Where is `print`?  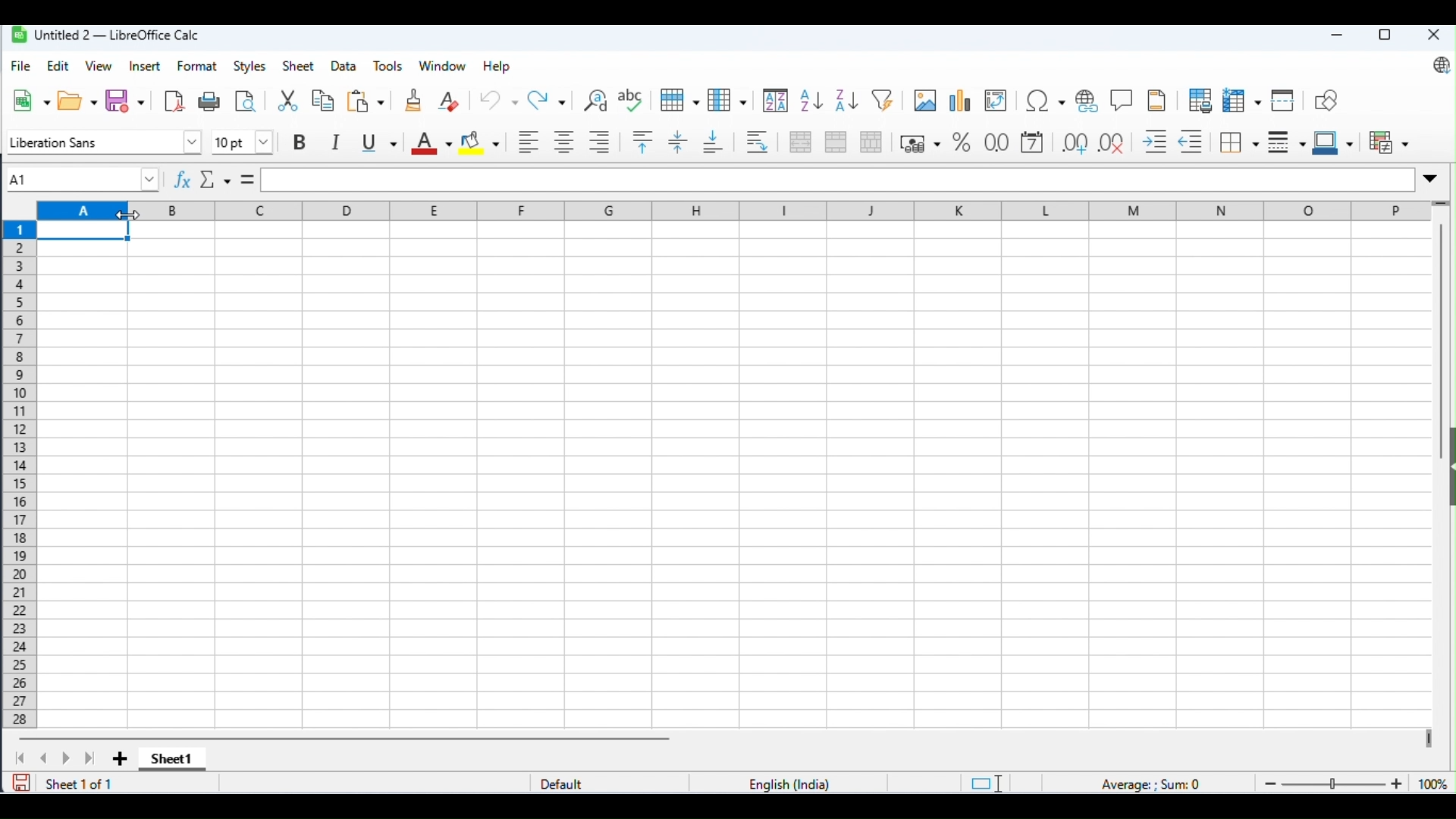
print is located at coordinates (211, 101).